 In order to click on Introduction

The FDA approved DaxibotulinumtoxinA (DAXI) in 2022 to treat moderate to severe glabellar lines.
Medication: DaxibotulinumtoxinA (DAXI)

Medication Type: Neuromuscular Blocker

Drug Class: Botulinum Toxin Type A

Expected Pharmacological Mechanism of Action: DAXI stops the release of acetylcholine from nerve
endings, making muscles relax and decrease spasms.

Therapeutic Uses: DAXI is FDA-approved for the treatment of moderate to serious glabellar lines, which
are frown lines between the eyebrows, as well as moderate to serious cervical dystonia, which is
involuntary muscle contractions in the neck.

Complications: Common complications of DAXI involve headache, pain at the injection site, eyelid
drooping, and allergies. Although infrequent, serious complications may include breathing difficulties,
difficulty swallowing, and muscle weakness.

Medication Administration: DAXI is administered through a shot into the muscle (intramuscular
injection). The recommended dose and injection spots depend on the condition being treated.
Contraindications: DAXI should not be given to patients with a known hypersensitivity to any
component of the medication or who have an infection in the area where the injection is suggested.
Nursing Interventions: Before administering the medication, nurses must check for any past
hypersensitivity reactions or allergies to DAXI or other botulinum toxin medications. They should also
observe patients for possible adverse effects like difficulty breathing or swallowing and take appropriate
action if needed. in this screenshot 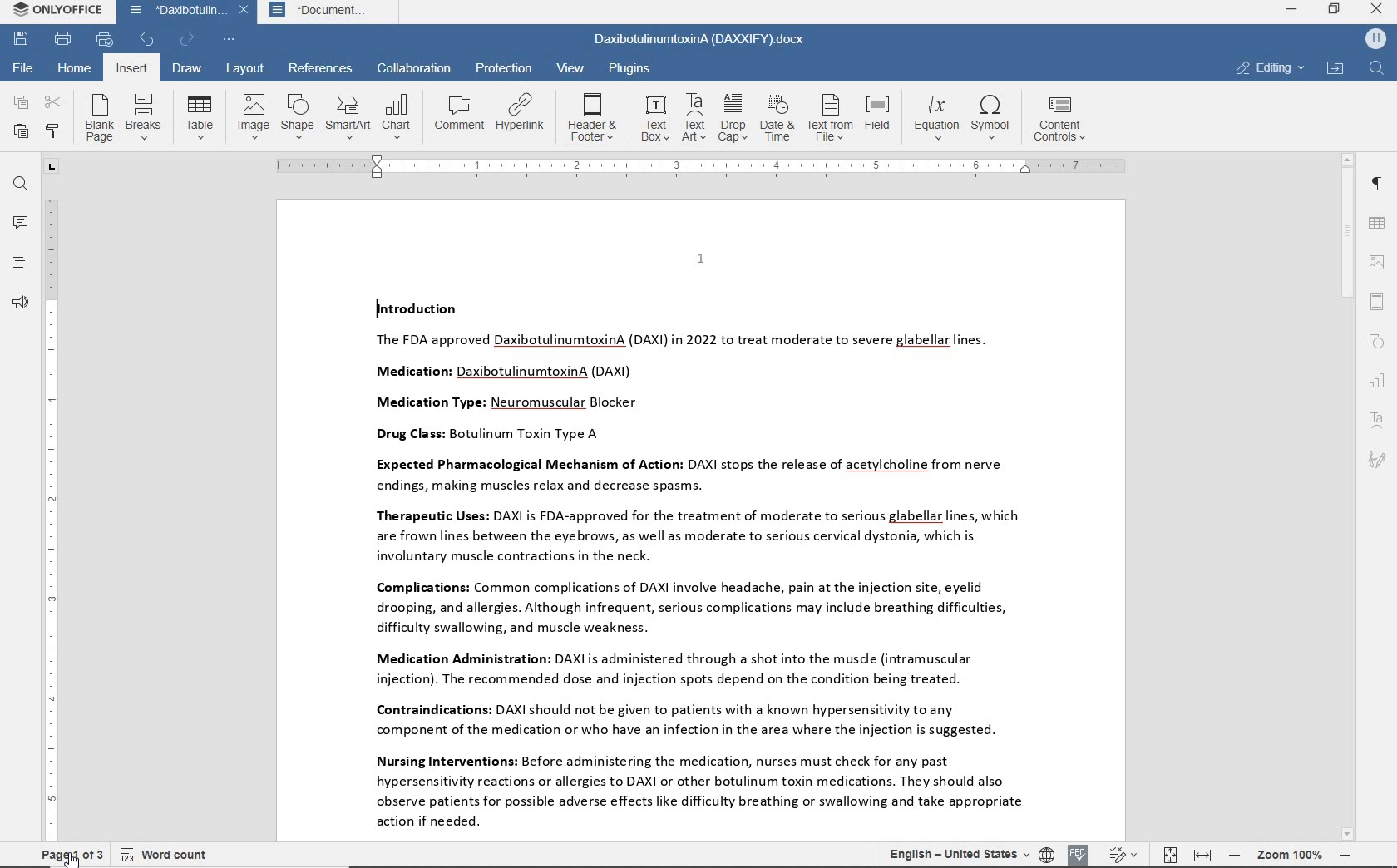, I will do `click(690, 565)`.